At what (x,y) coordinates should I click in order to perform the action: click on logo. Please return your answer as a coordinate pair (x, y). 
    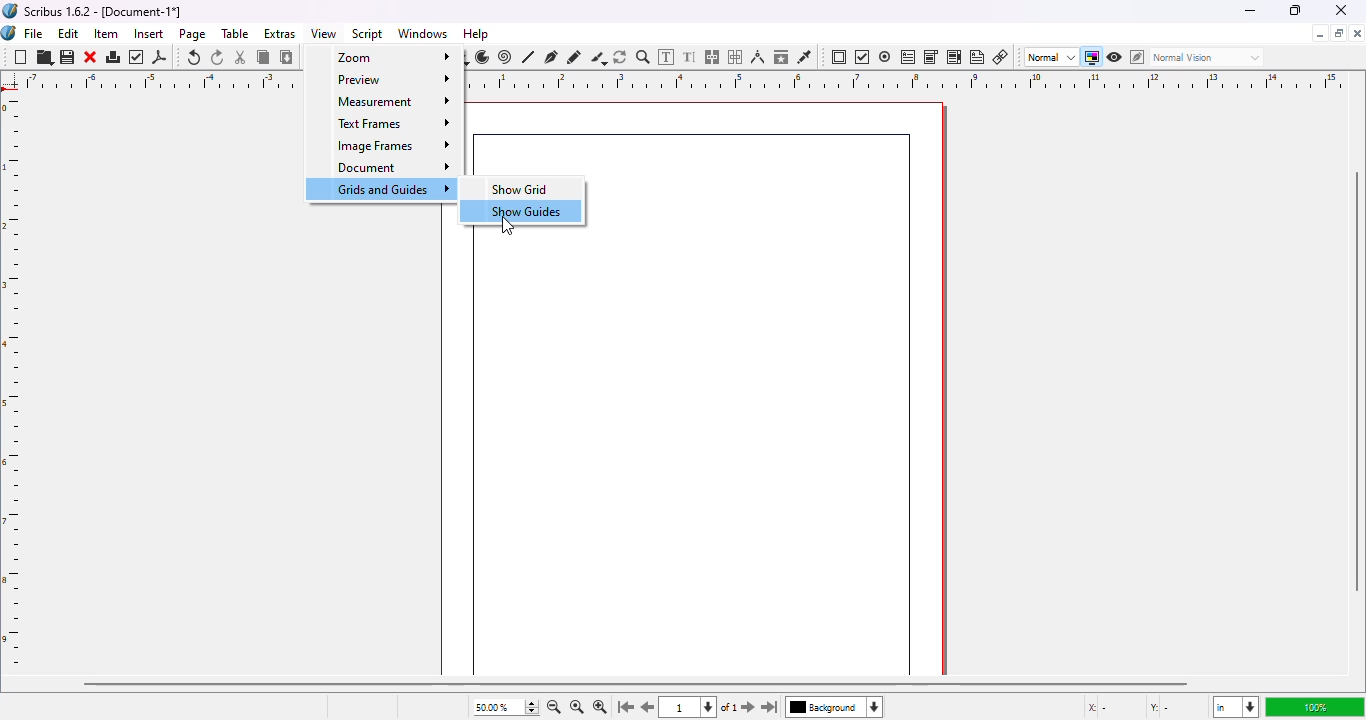
    Looking at the image, I should click on (9, 33).